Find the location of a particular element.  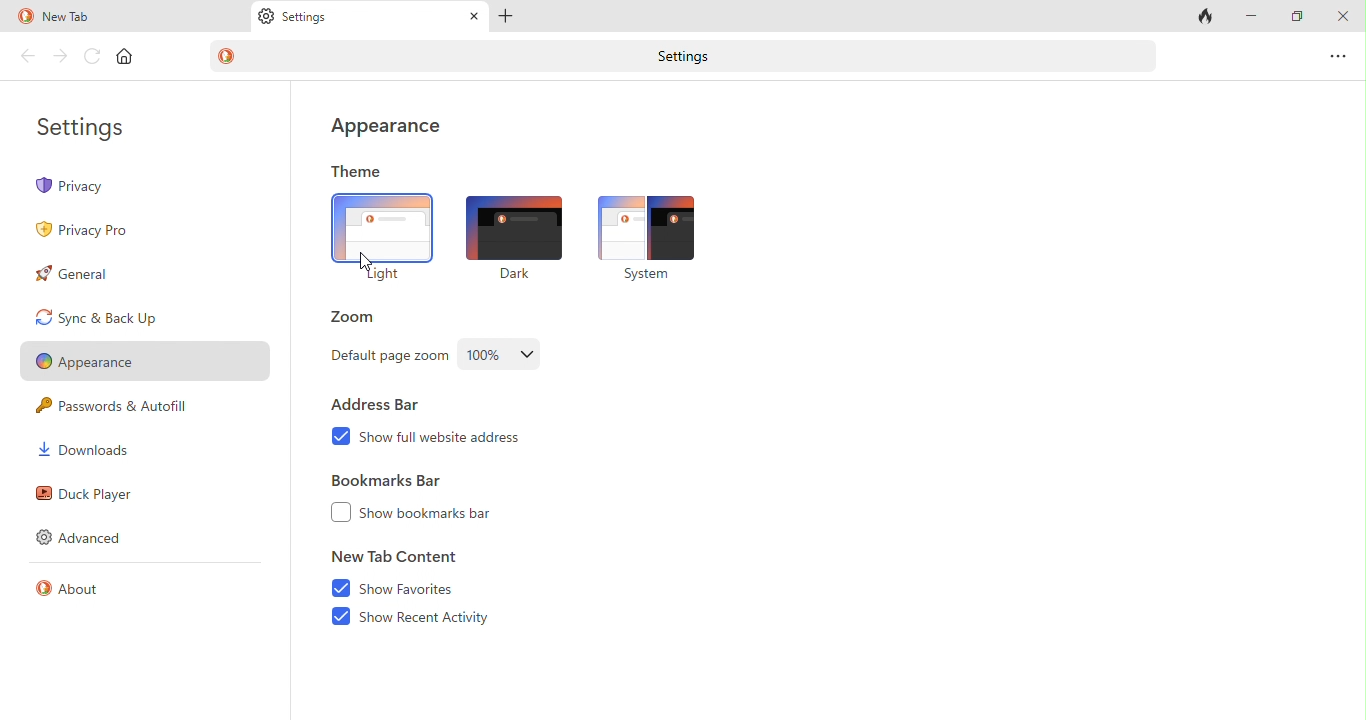

privacy  is located at coordinates (118, 187).